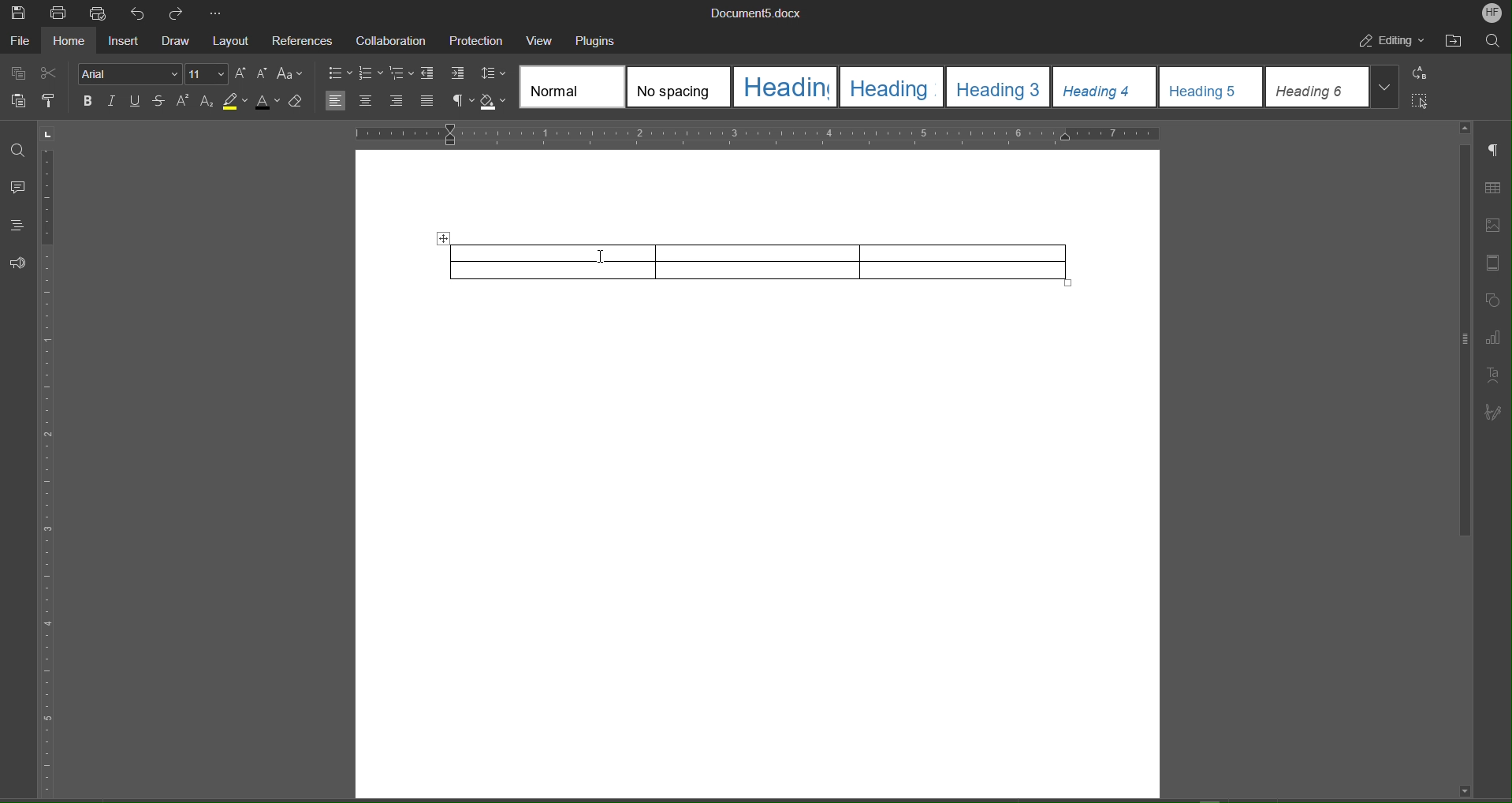 The height and width of the screenshot is (803, 1512). What do you see at coordinates (1495, 152) in the screenshot?
I see `Paragraph Settings` at bounding box center [1495, 152].